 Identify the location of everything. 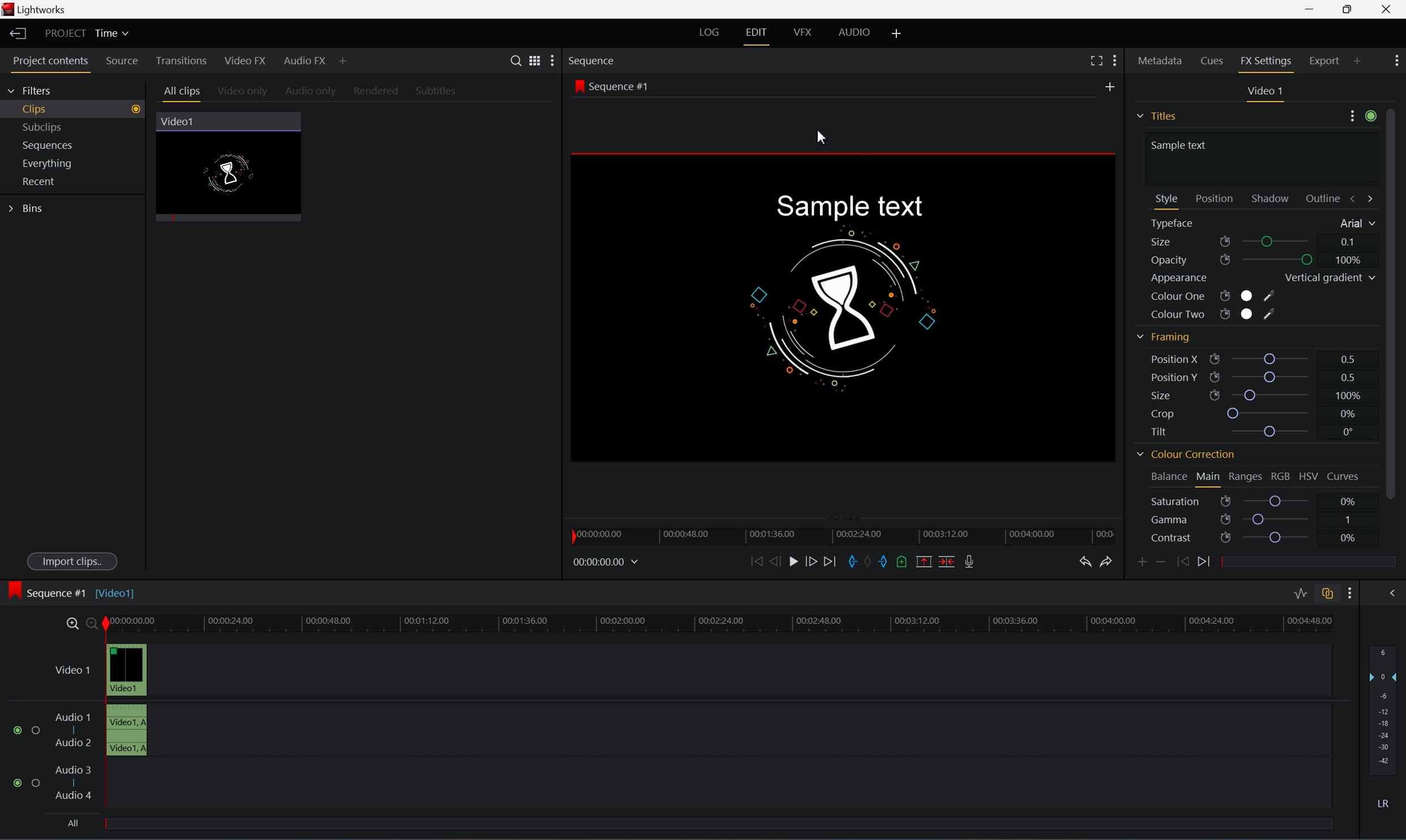
(53, 164).